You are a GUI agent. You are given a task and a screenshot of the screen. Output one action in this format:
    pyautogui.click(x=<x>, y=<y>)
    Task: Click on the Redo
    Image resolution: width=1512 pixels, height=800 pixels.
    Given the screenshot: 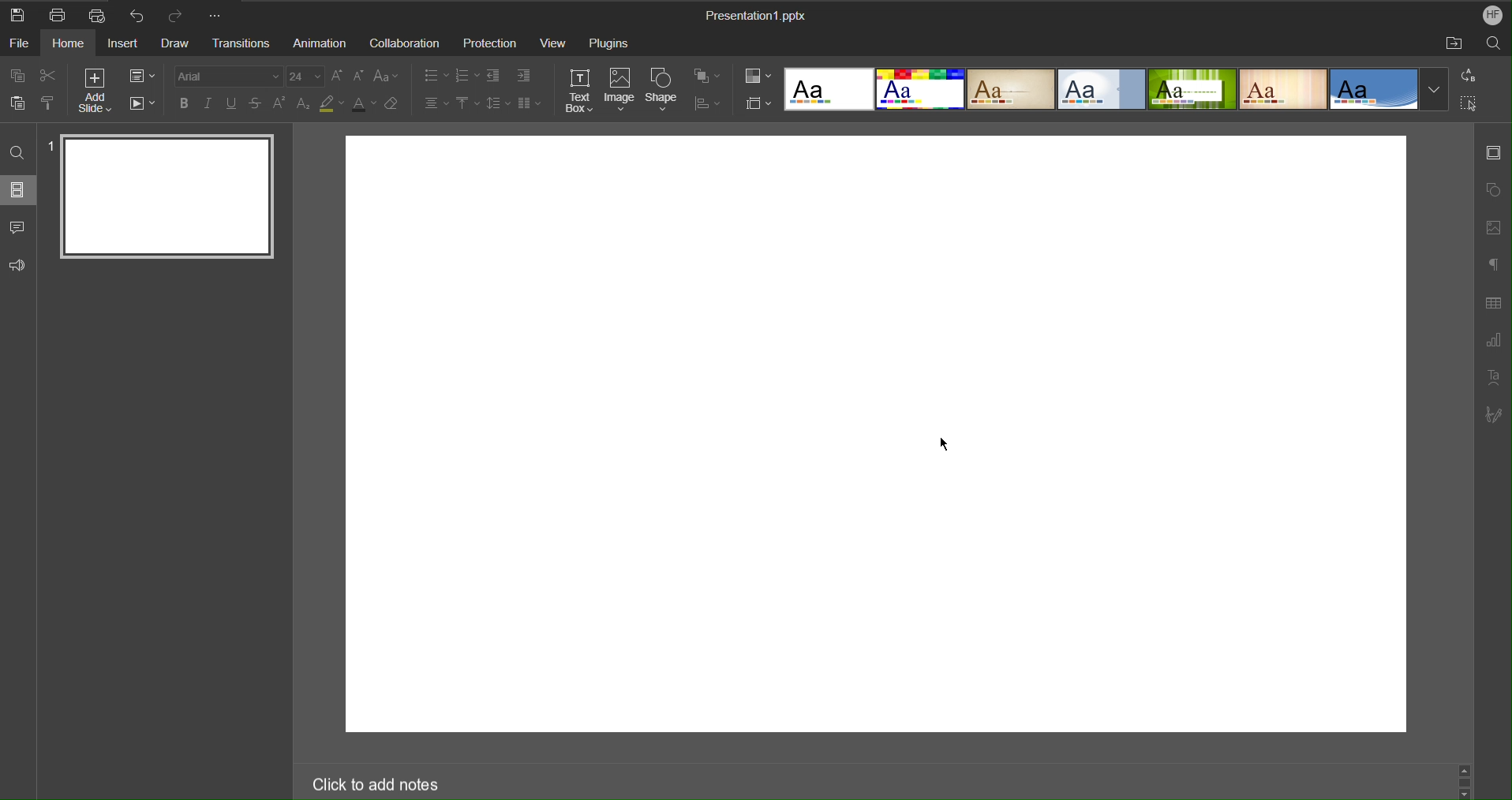 What is the action you would take?
    pyautogui.click(x=177, y=15)
    